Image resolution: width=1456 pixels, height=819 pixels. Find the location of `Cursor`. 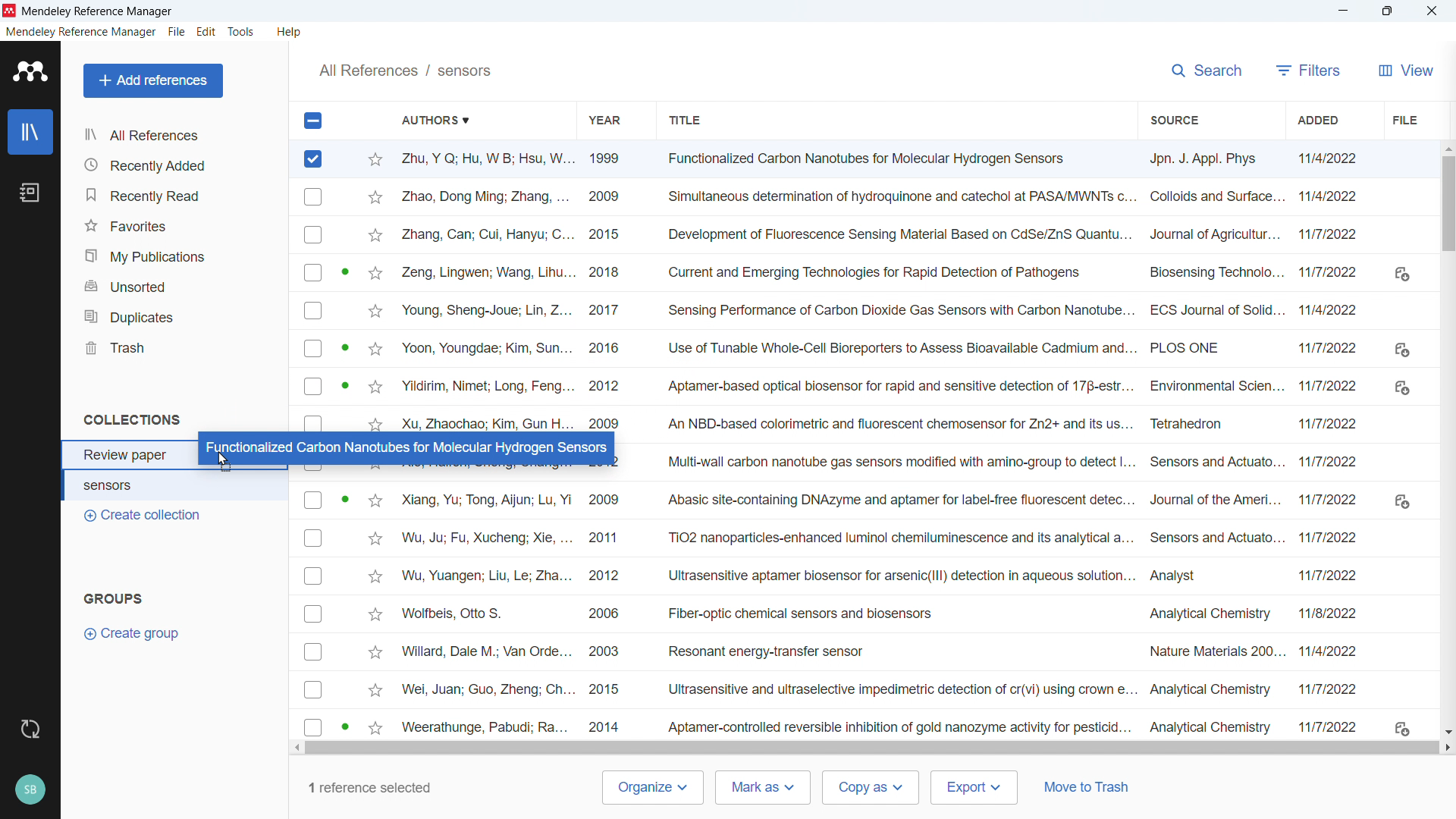

Cursor is located at coordinates (226, 464).